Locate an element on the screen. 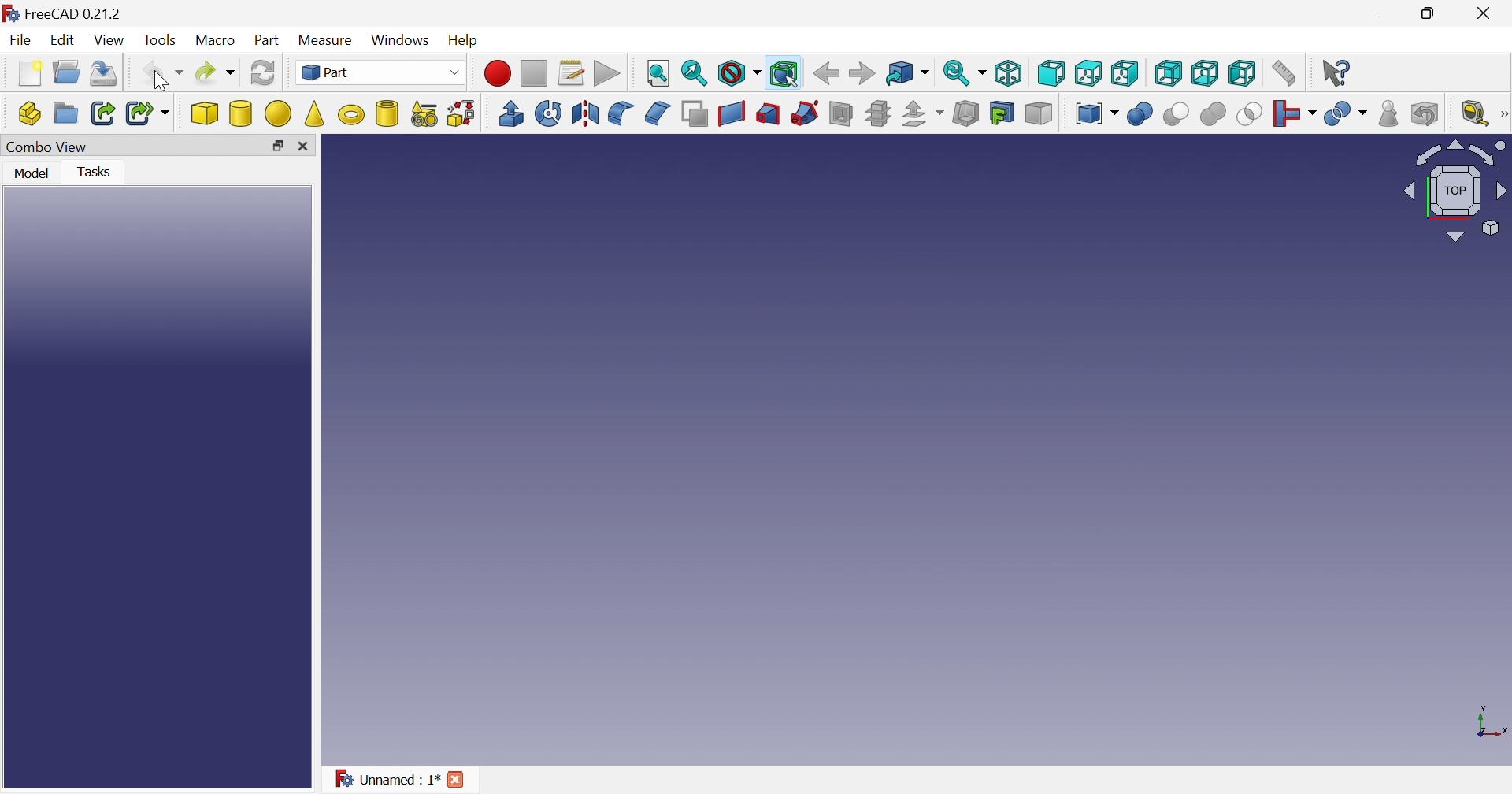  Restore down is located at coordinates (279, 147).